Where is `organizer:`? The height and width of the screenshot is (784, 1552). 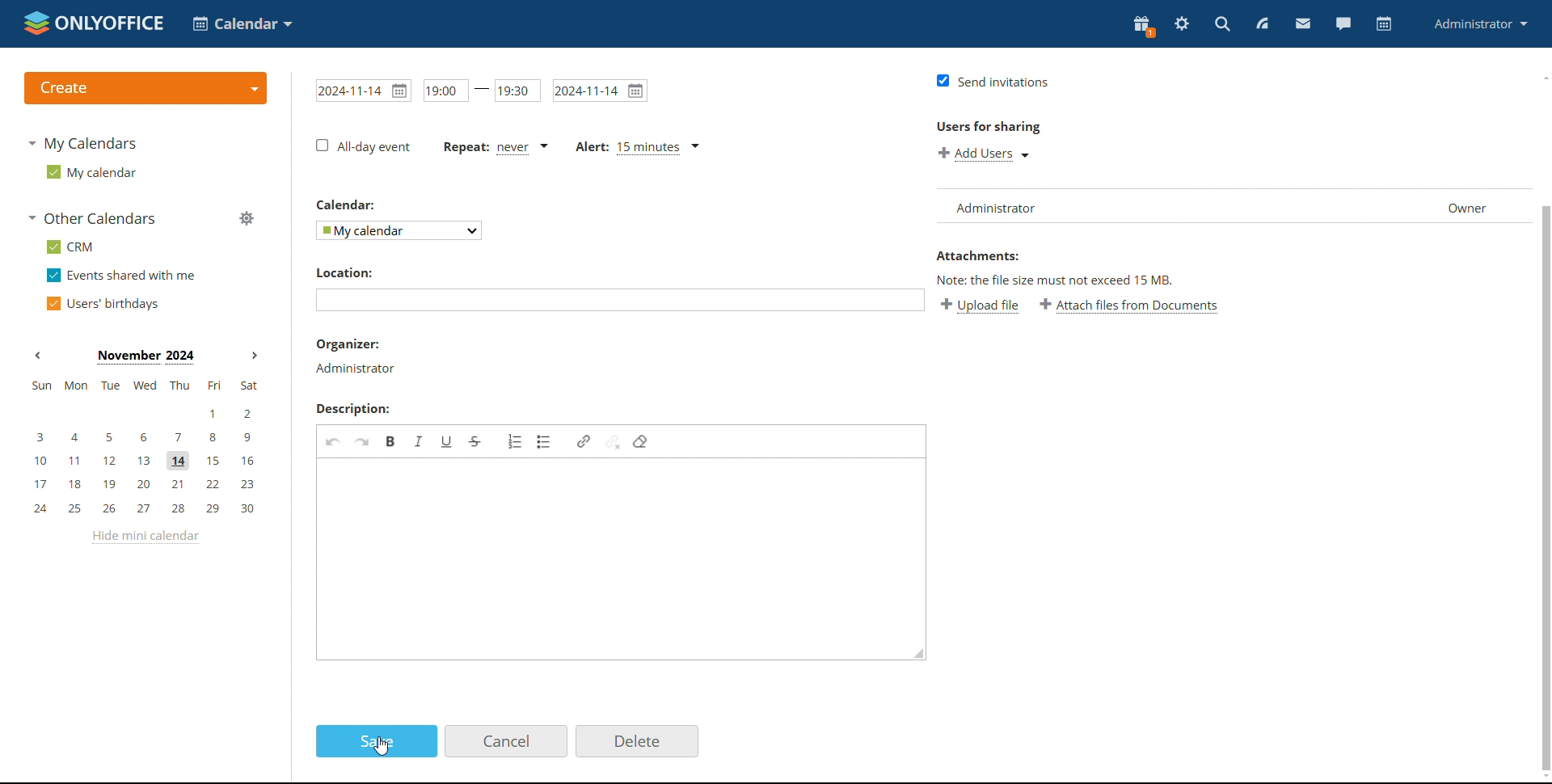 organizer: is located at coordinates (353, 344).